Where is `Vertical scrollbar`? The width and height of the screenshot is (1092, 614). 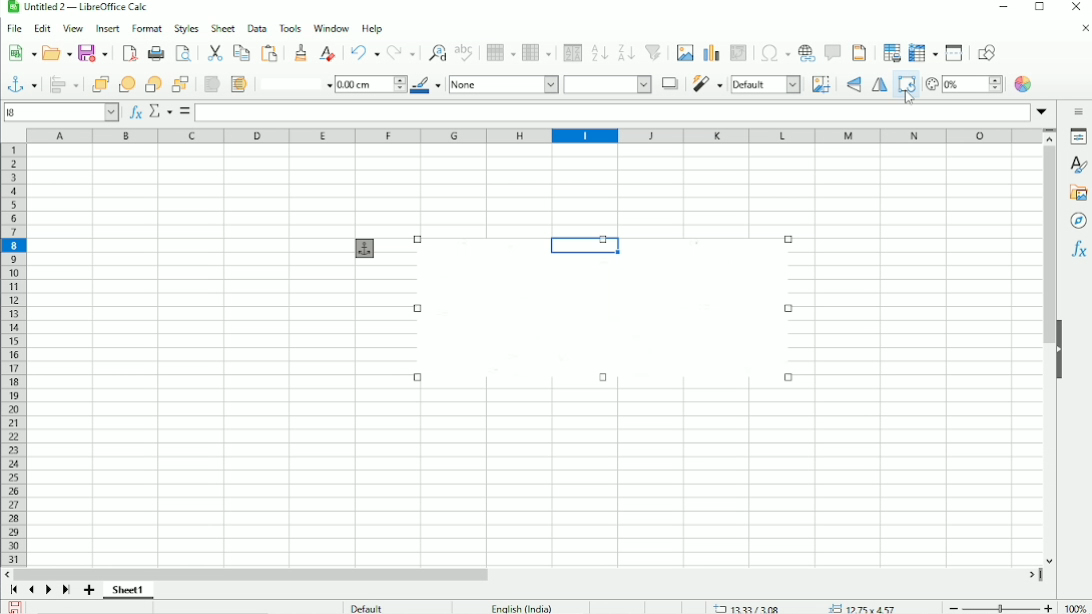 Vertical scrollbar is located at coordinates (1050, 237).